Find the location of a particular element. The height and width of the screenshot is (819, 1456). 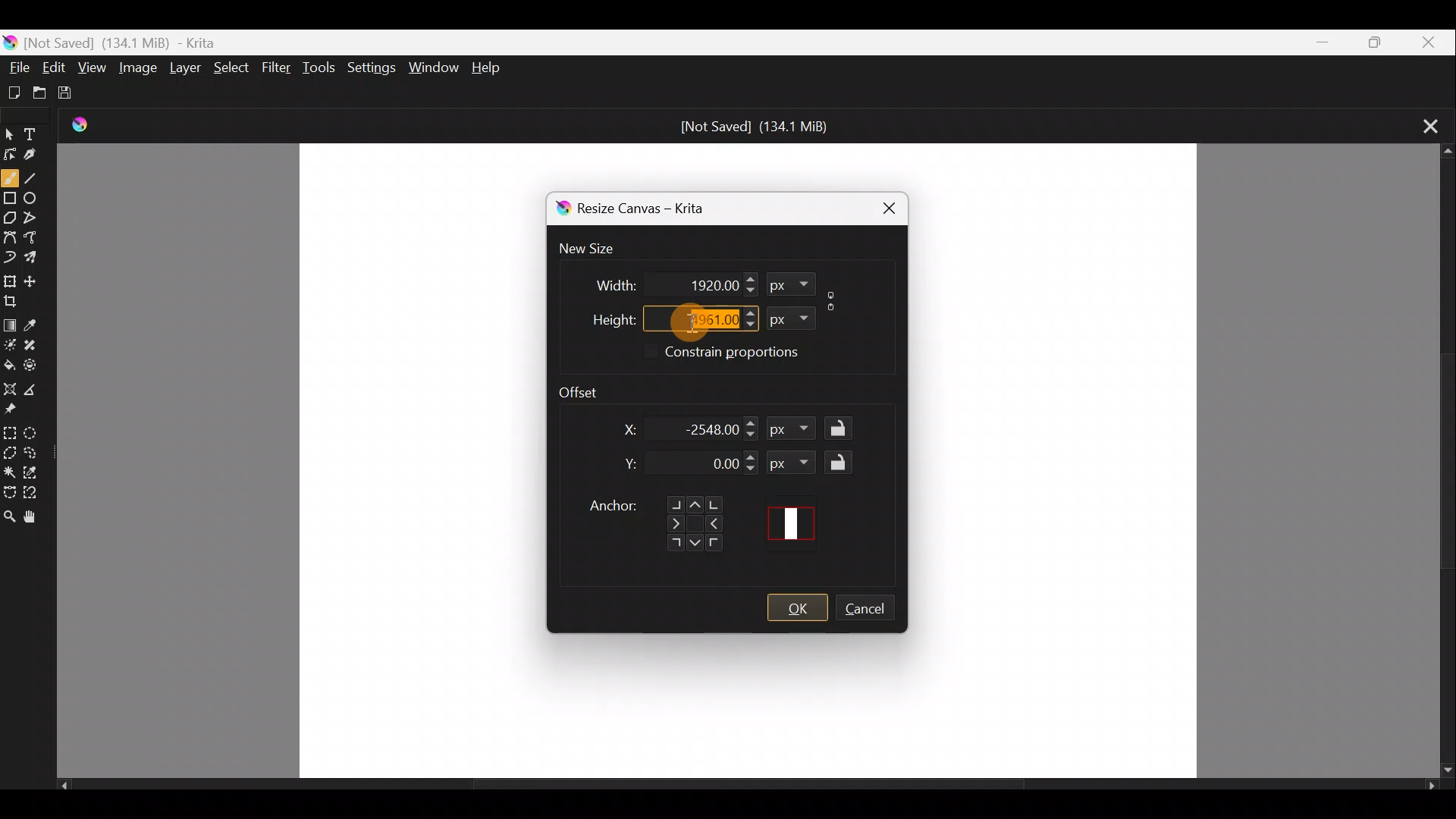

Window is located at coordinates (433, 65).